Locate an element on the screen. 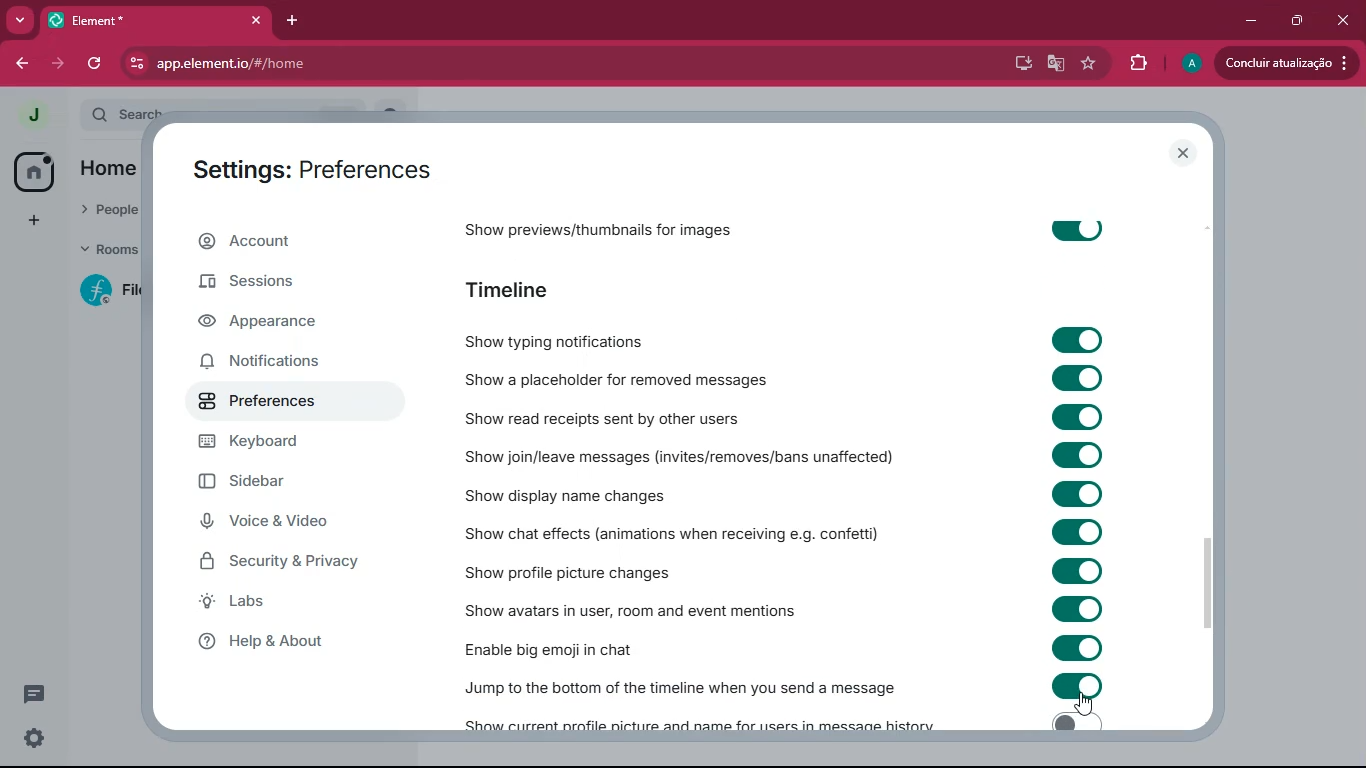 The width and height of the screenshot is (1366, 768). show profile picture changes is located at coordinates (568, 573).